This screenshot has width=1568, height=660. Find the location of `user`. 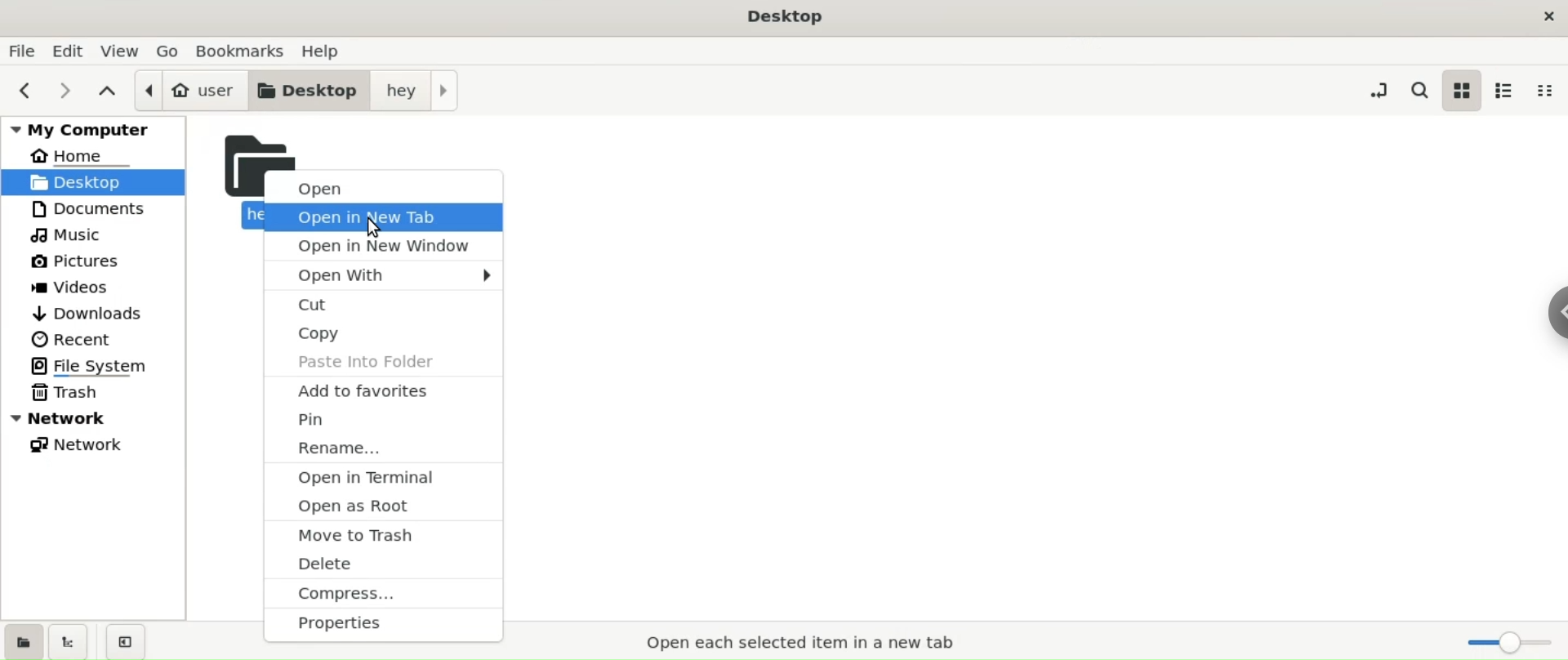

user is located at coordinates (191, 90).